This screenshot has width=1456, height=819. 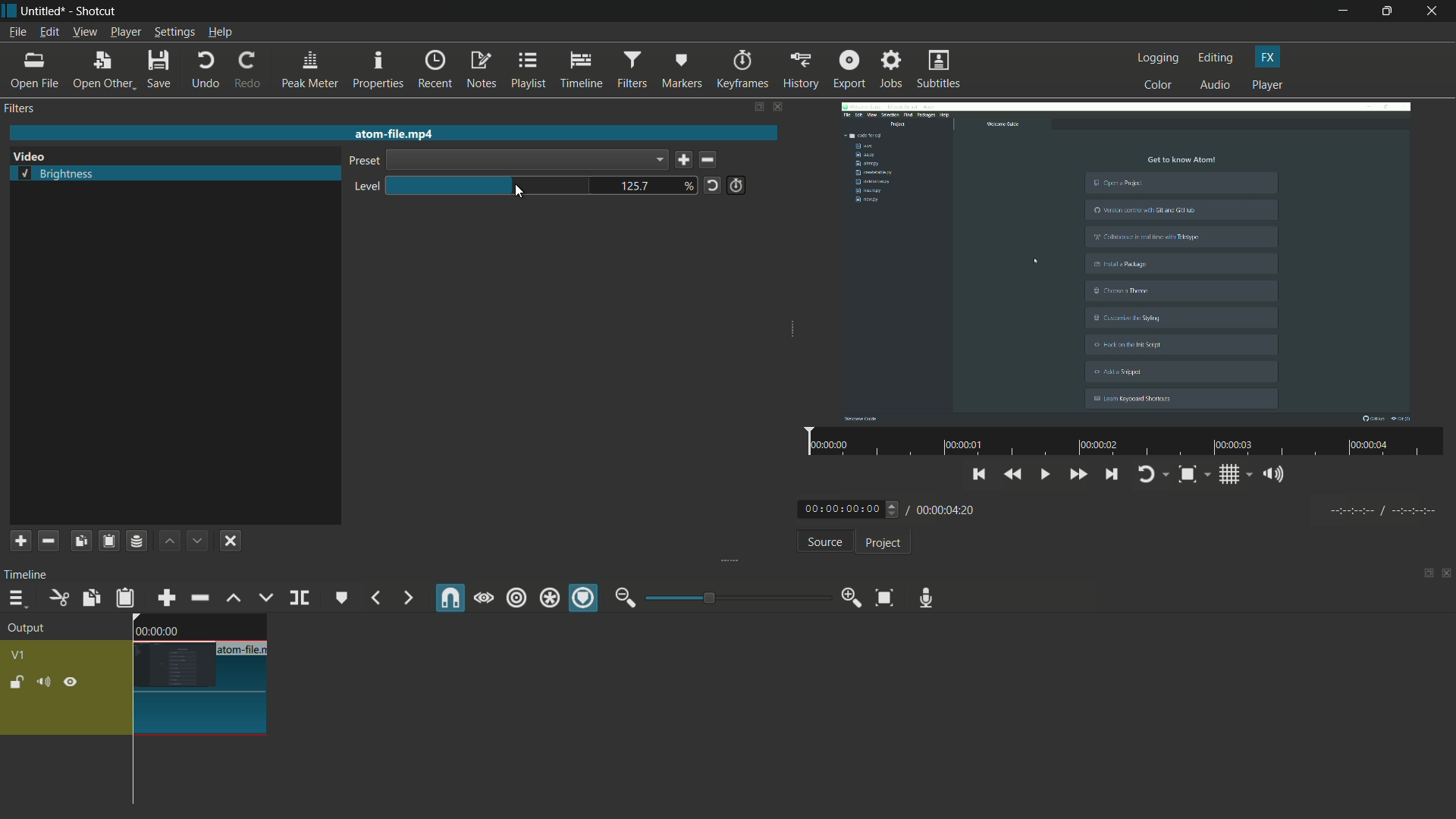 I want to click on filters, so click(x=21, y=108).